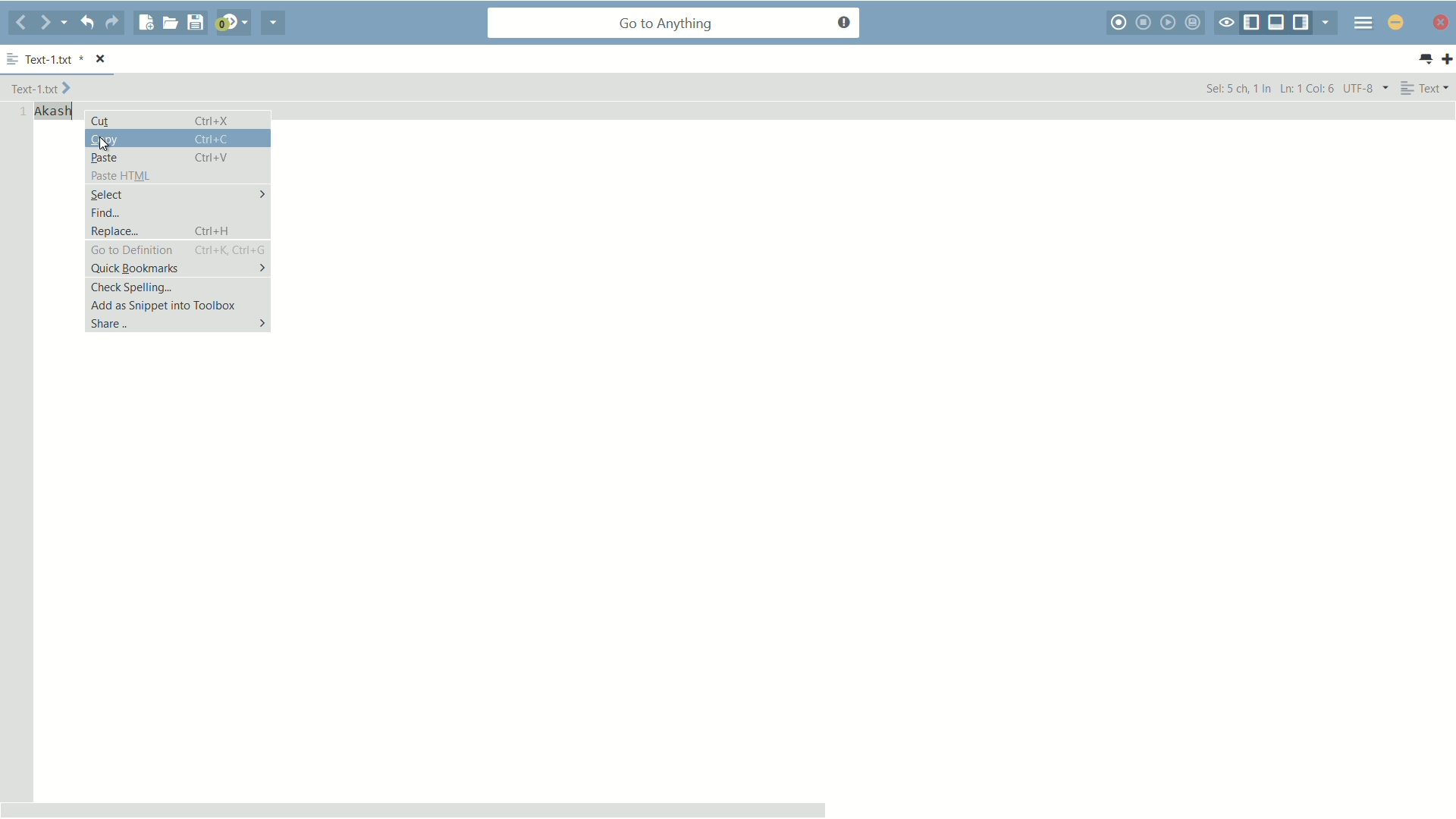 This screenshot has height=819, width=1456. What do you see at coordinates (179, 305) in the screenshot?
I see `add as snippet into toolbox` at bounding box center [179, 305].